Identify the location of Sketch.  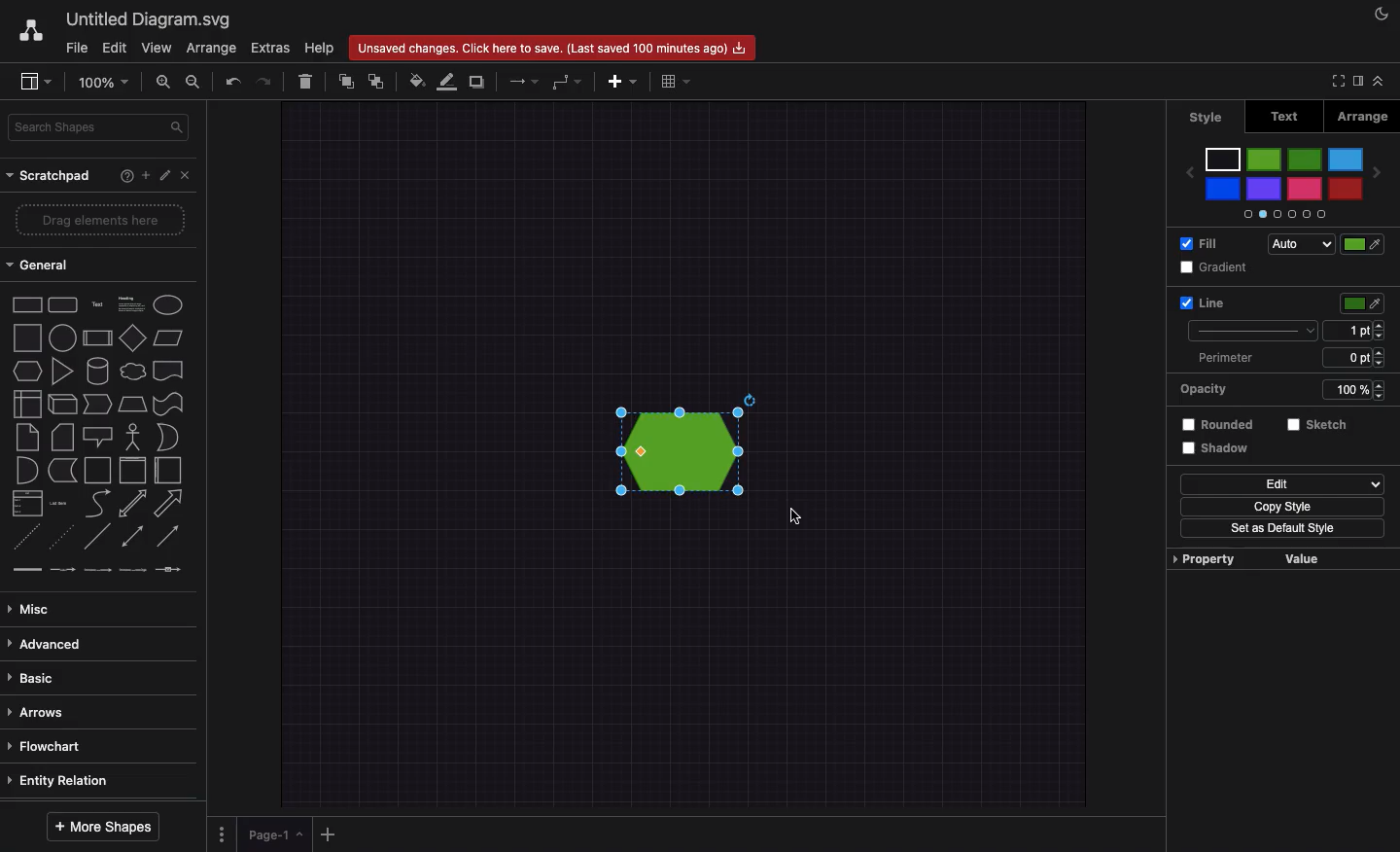
(1322, 425).